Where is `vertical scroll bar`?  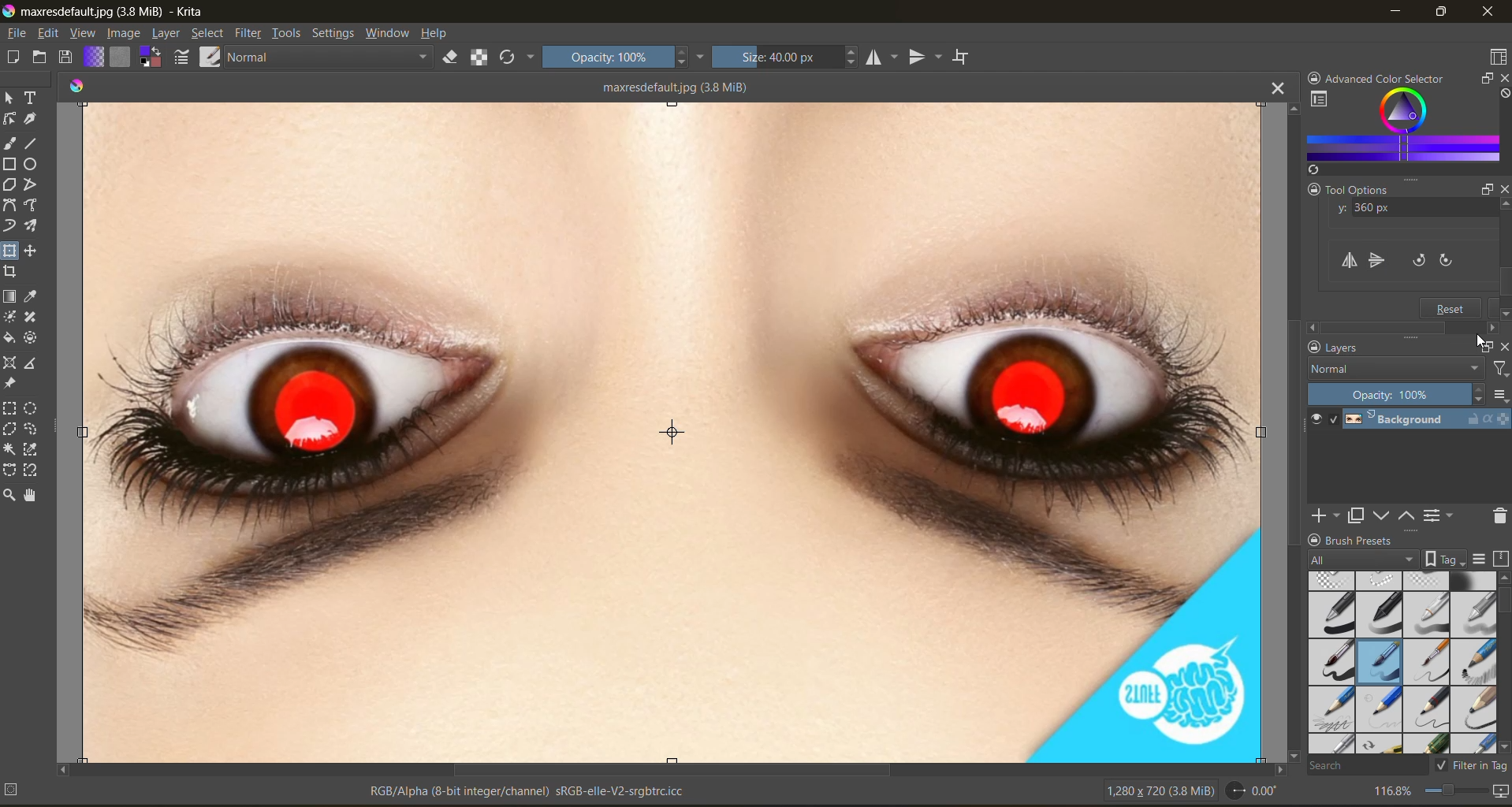 vertical scroll bar is located at coordinates (1503, 262).